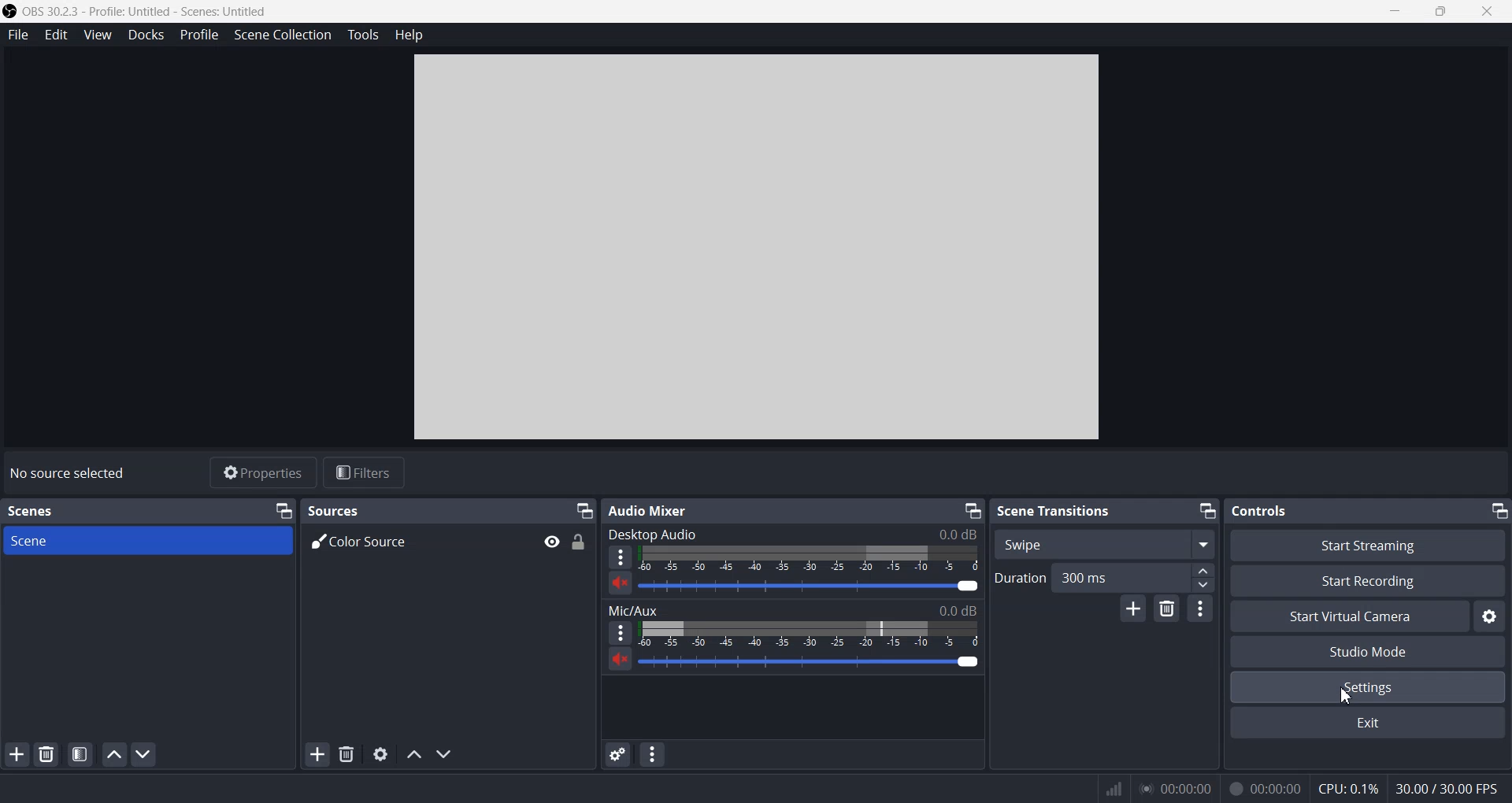 The width and height of the screenshot is (1512, 803). What do you see at coordinates (150, 541) in the screenshot?
I see `Scene` at bounding box center [150, 541].